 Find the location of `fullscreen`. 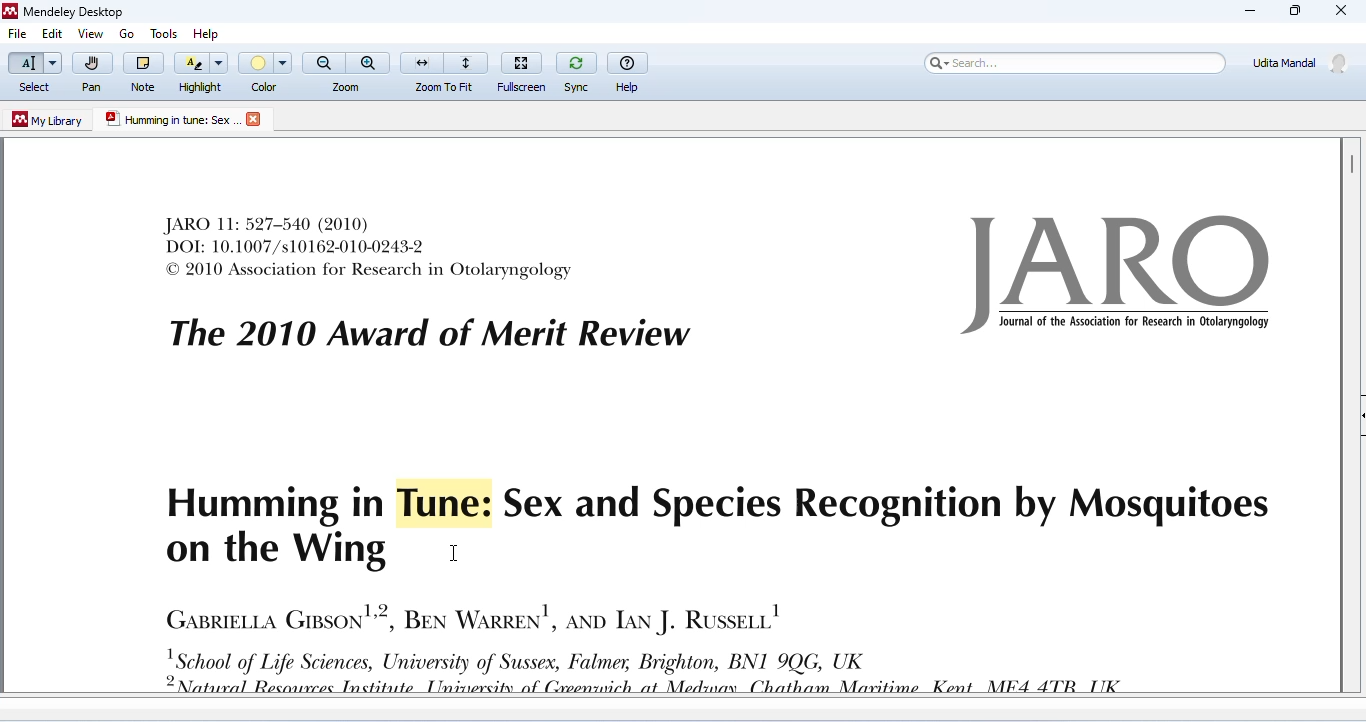

fullscreen is located at coordinates (524, 69).